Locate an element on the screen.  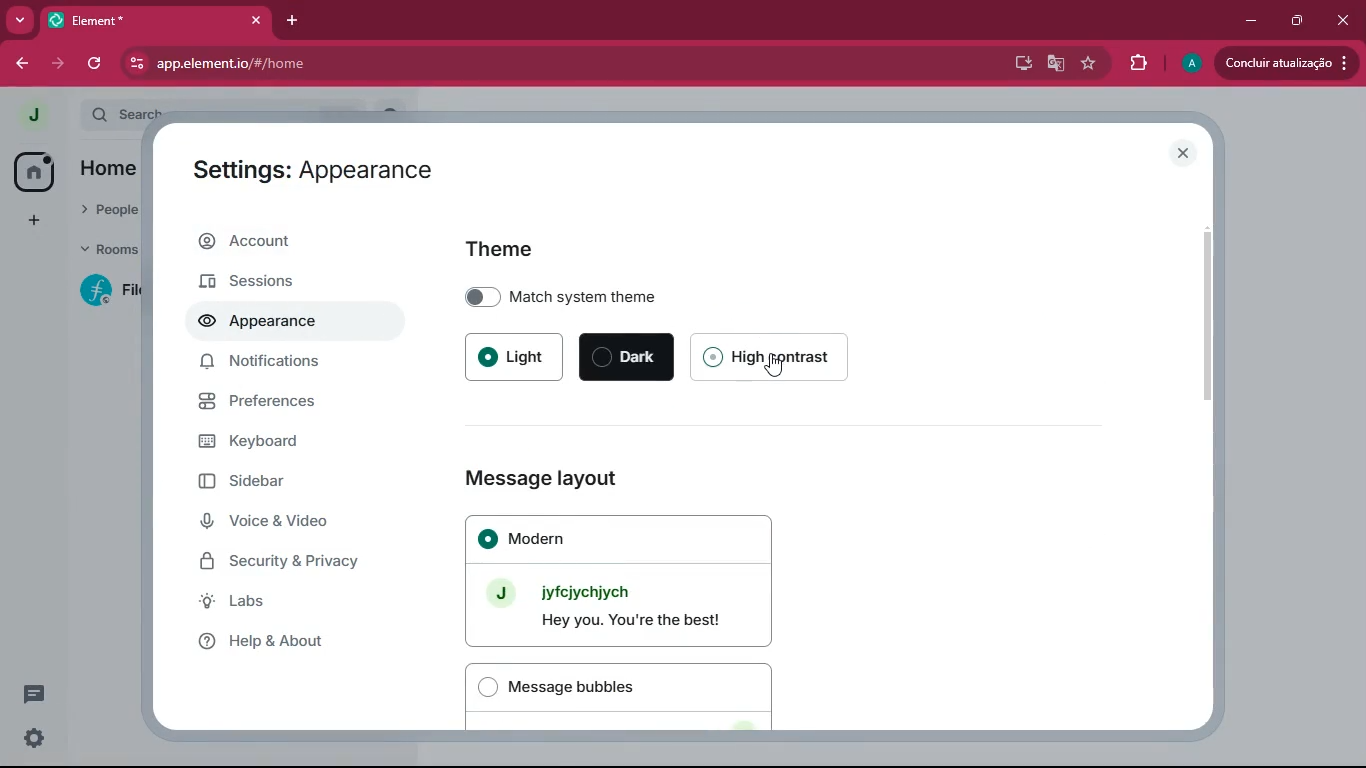
notifications is located at coordinates (296, 363).